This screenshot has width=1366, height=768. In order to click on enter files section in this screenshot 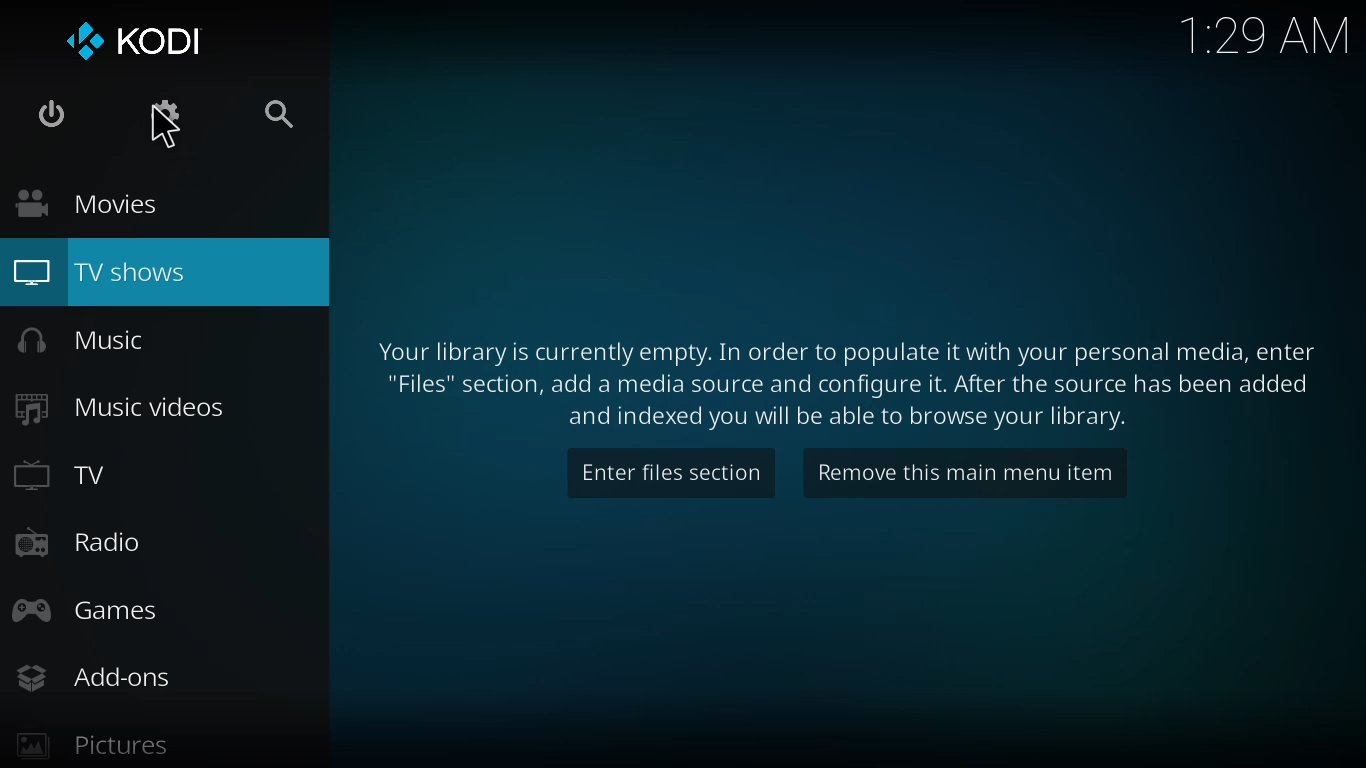, I will do `click(672, 472)`.